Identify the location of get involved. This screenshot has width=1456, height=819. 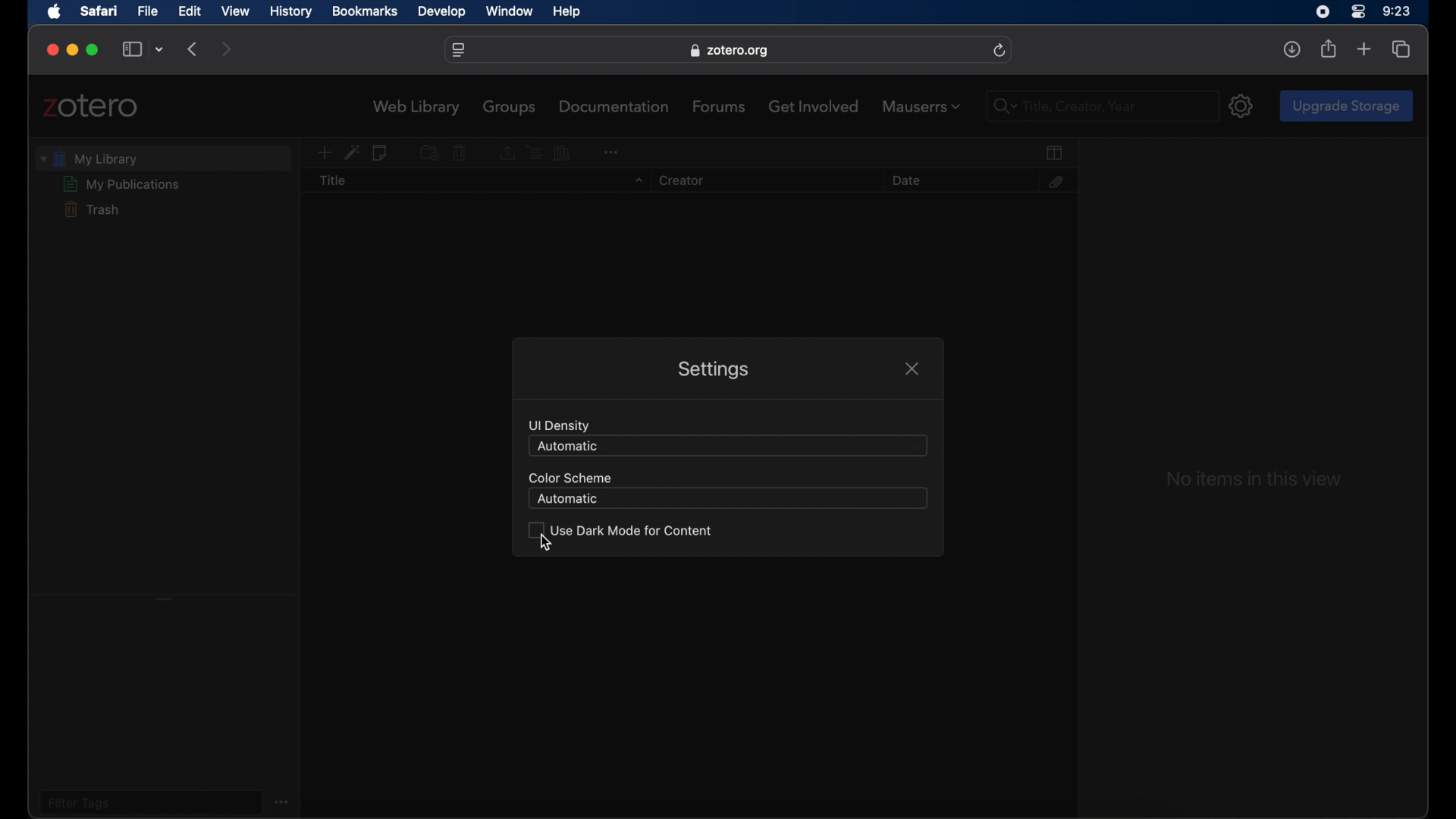
(814, 105).